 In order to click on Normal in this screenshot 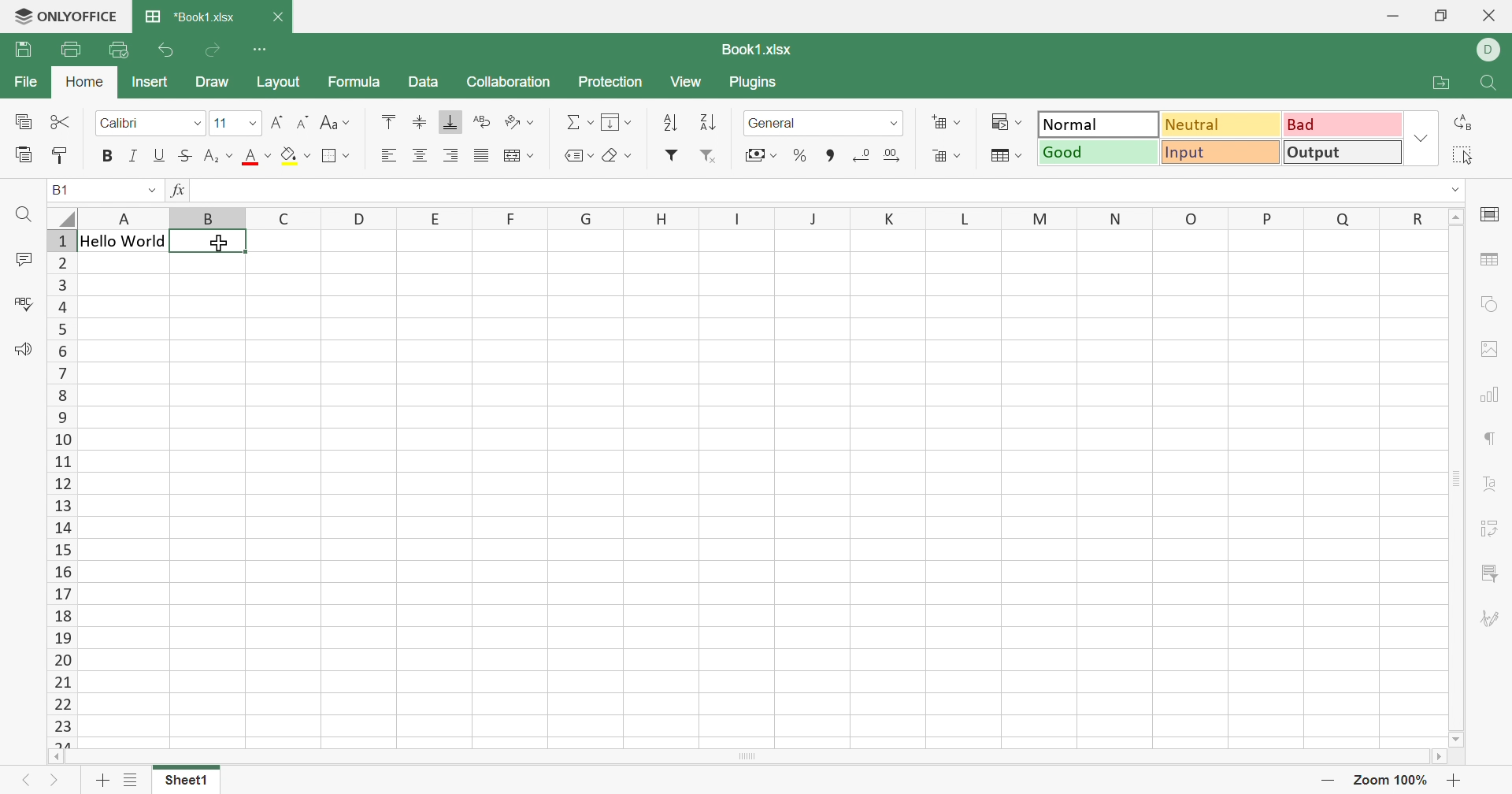, I will do `click(1100, 124)`.